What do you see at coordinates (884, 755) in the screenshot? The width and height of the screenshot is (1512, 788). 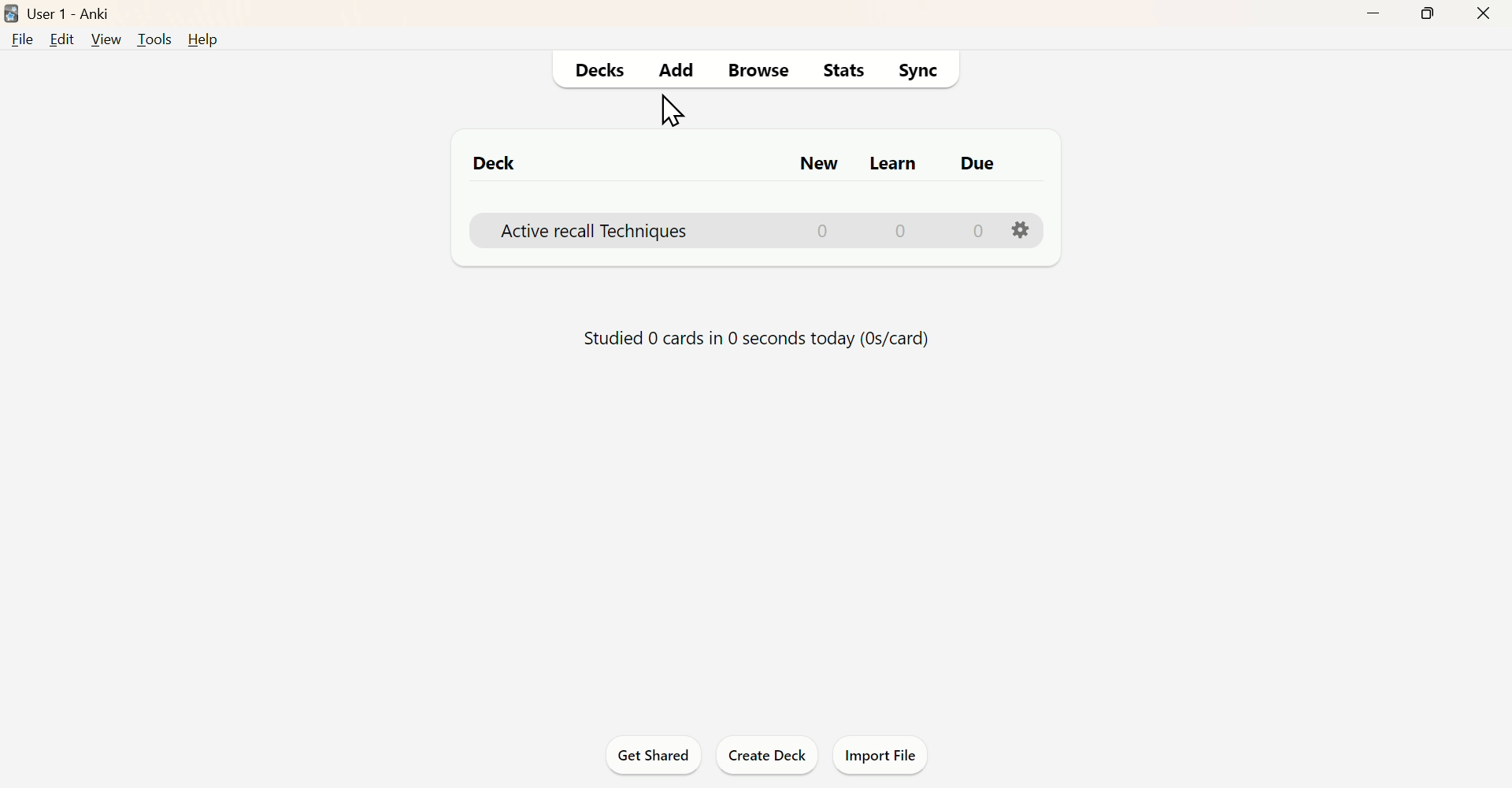 I see `Import File` at bounding box center [884, 755].